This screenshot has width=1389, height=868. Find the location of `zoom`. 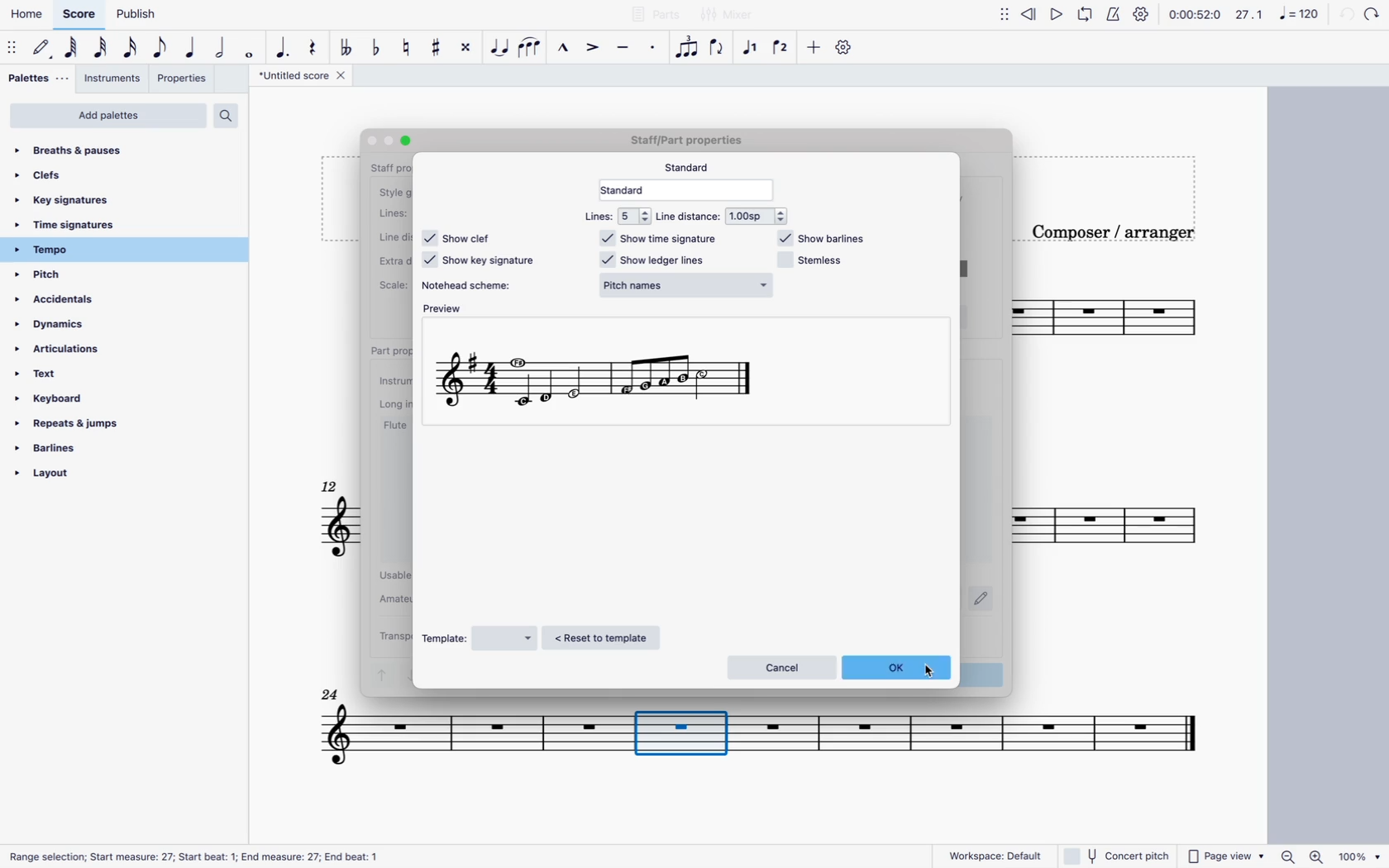

zoom is located at coordinates (1329, 855).